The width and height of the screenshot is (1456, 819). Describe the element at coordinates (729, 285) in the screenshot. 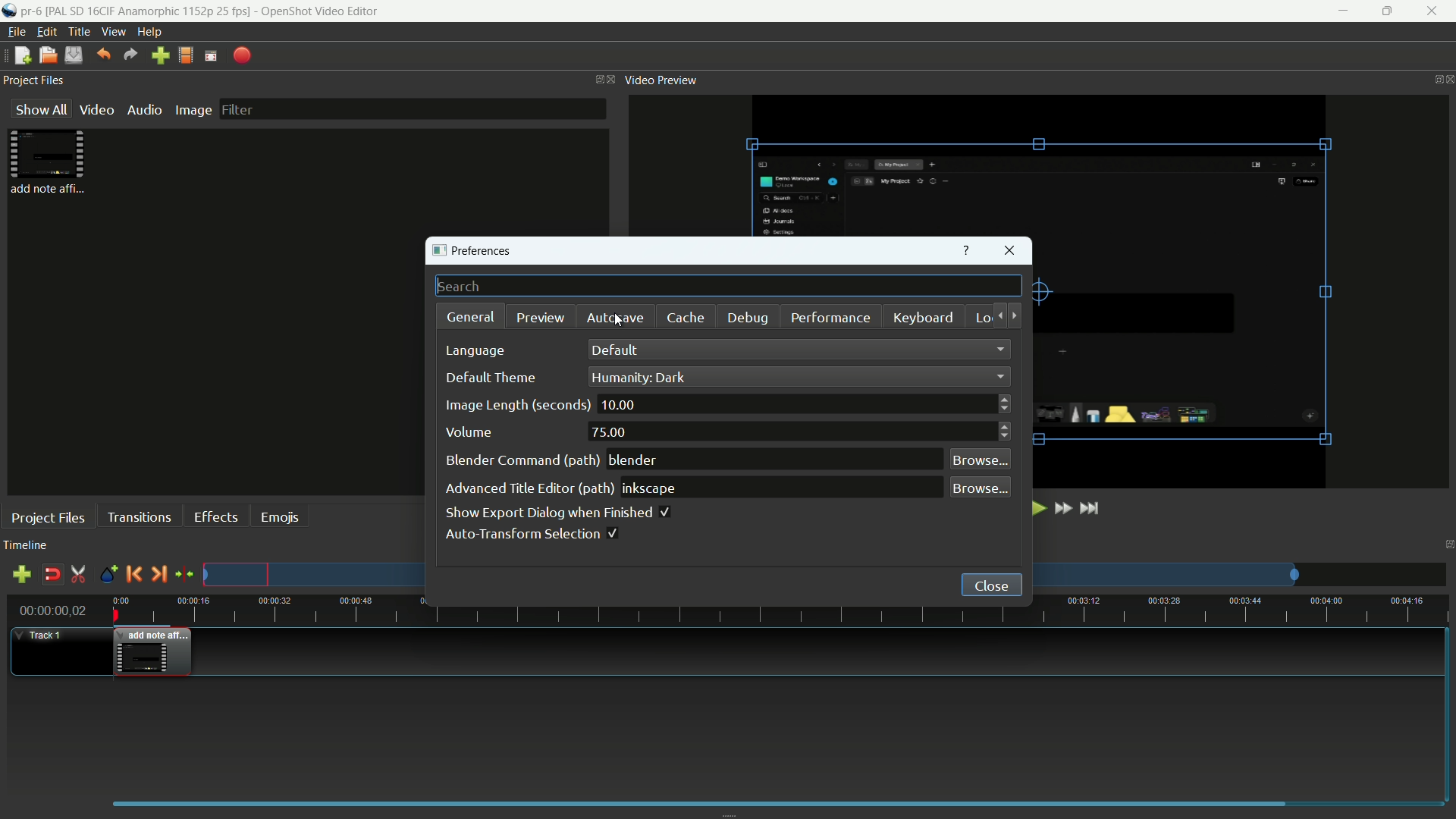

I see `search bar` at that location.